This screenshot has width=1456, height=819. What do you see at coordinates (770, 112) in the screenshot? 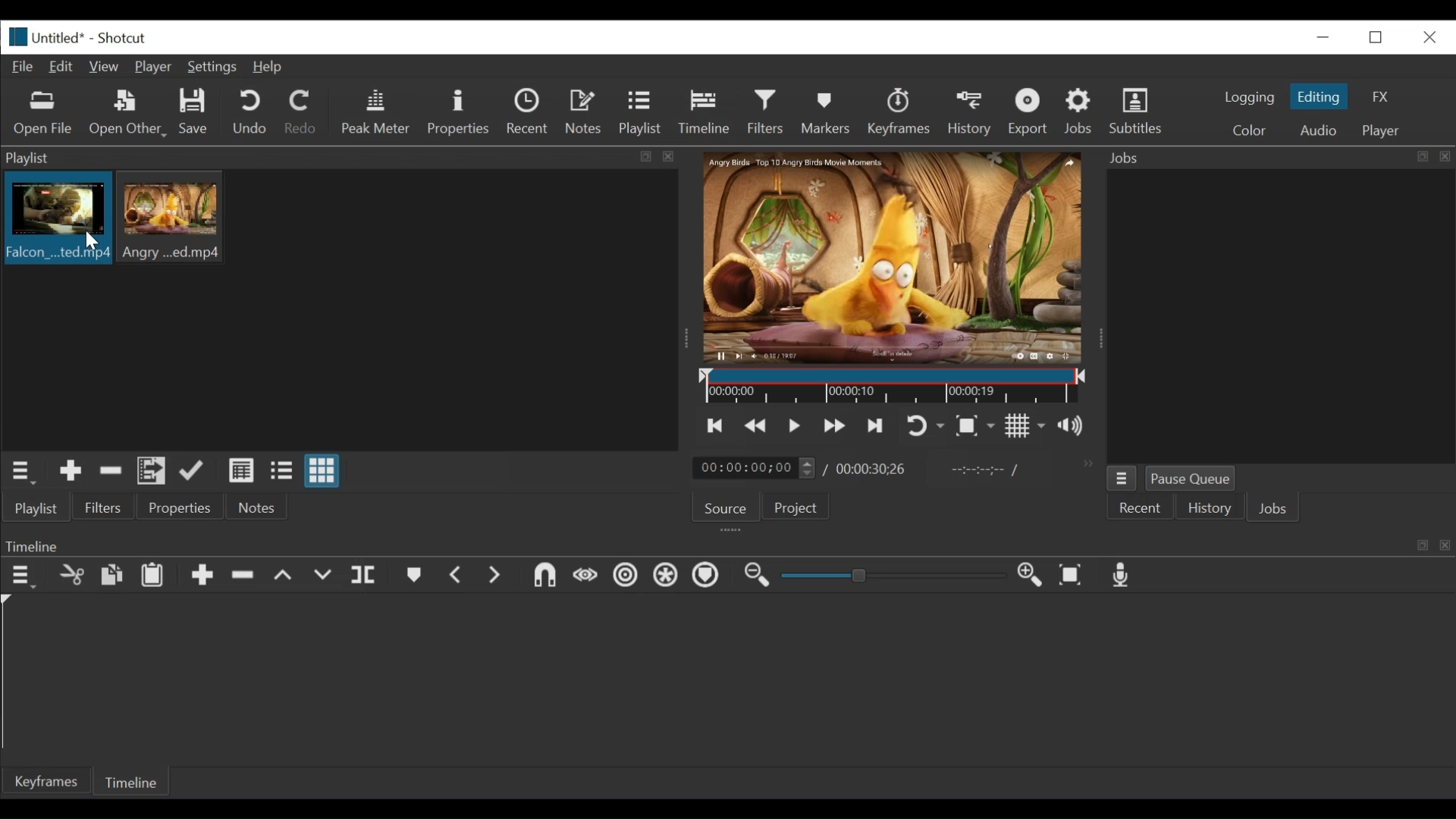
I see `Filters` at bounding box center [770, 112].